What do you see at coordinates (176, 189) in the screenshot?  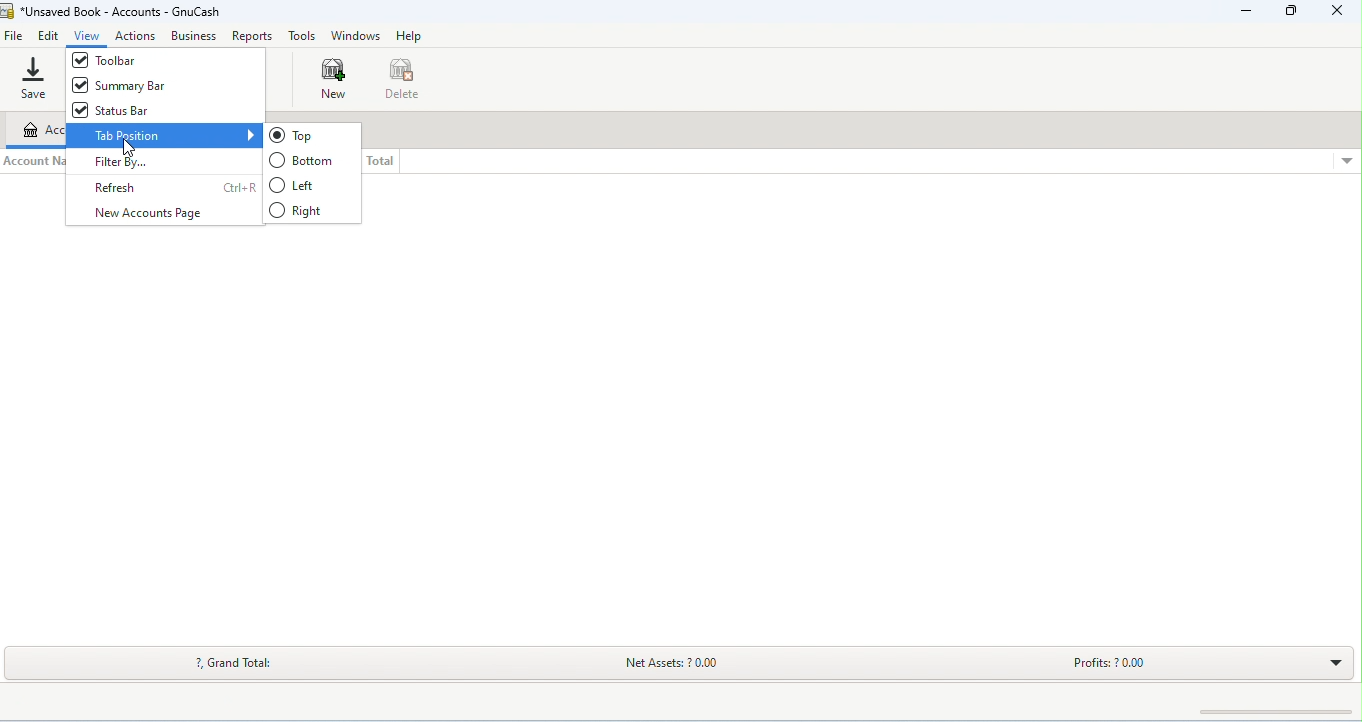 I see `refresh` at bounding box center [176, 189].